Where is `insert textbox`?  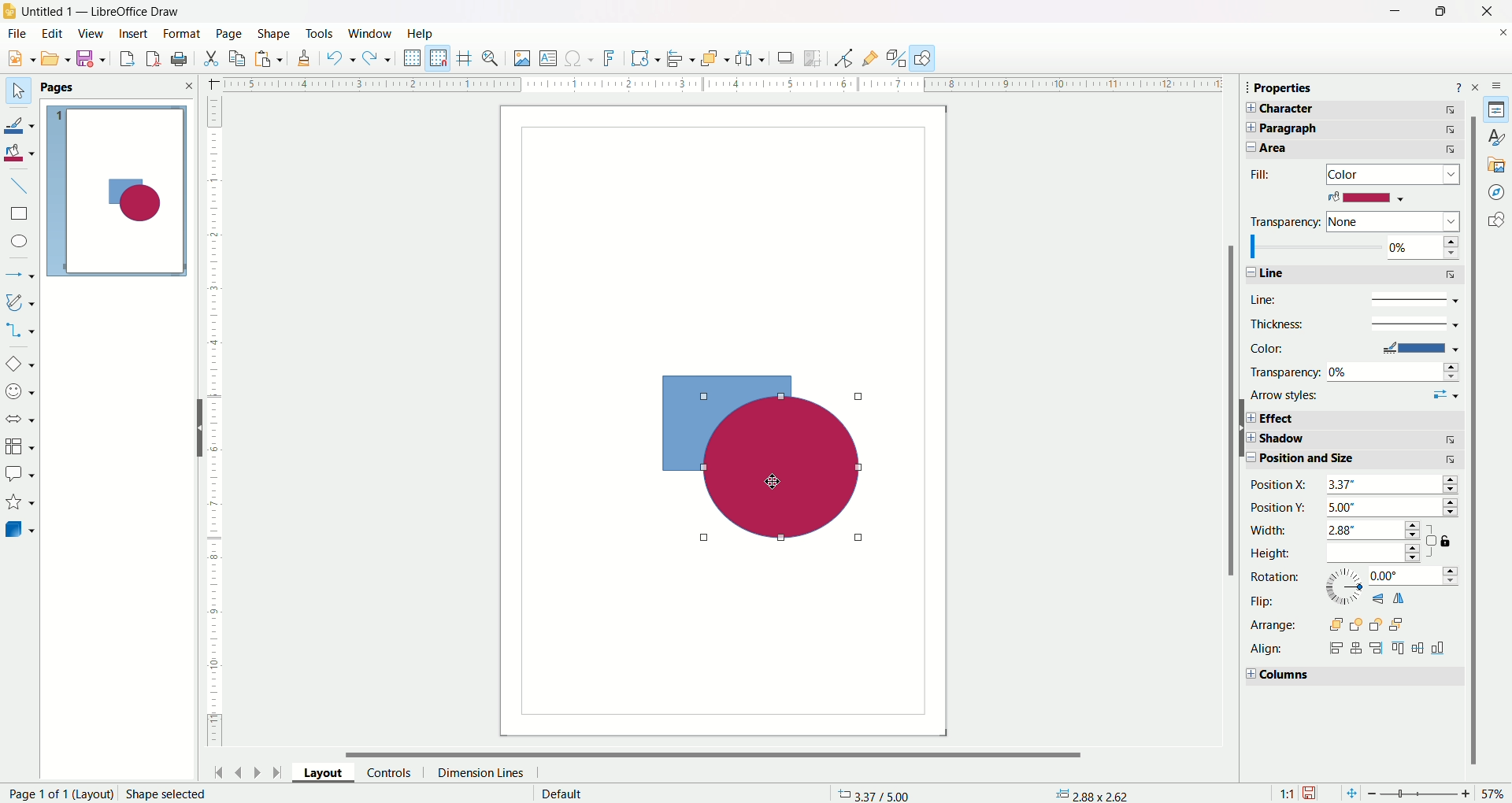
insert textbox is located at coordinates (547, 58).